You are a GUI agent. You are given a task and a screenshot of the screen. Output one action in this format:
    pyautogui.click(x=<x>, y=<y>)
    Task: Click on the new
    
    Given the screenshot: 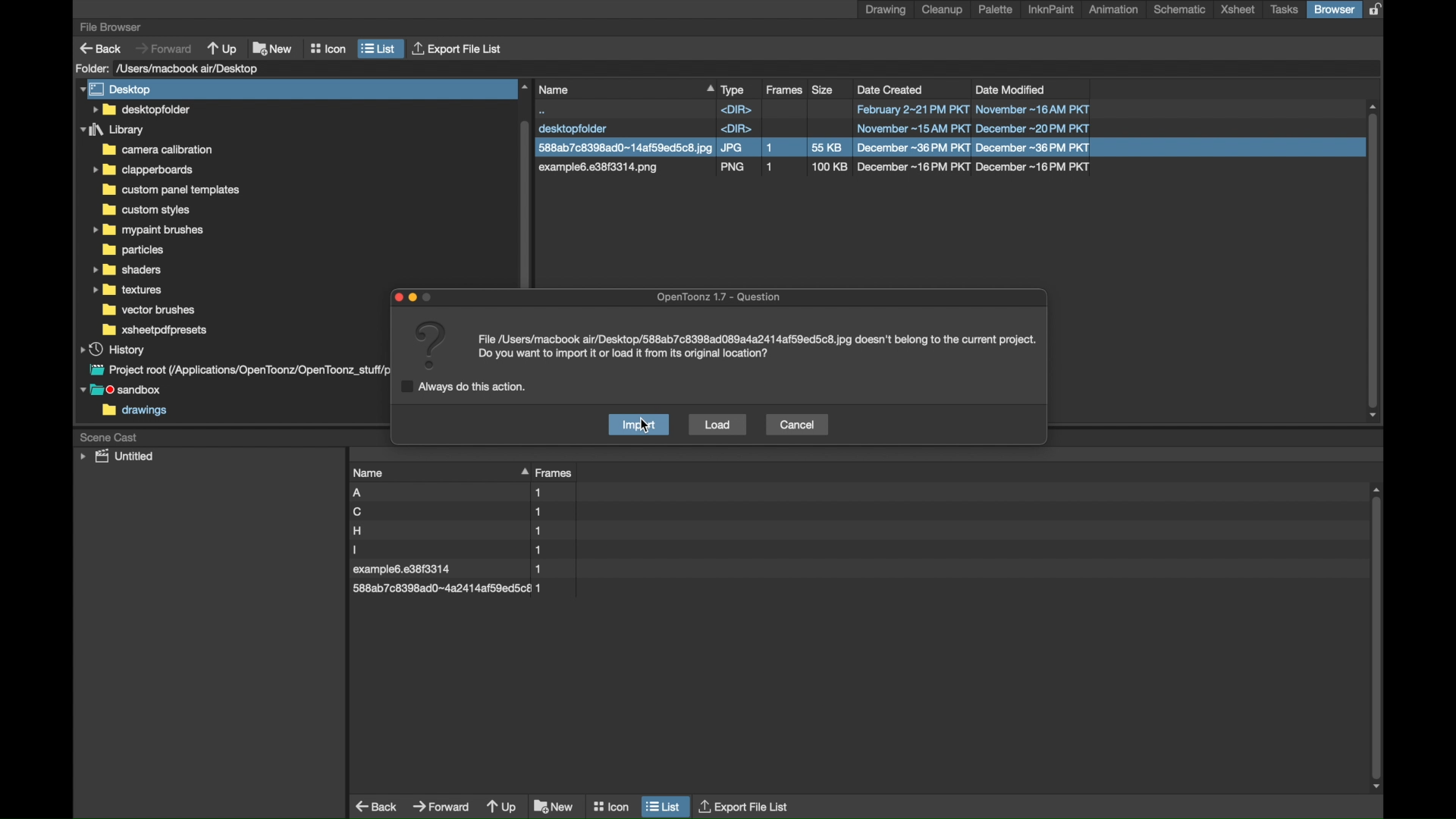 What is the action you would take?
    pyautogui.click(x=554, y=806)
    